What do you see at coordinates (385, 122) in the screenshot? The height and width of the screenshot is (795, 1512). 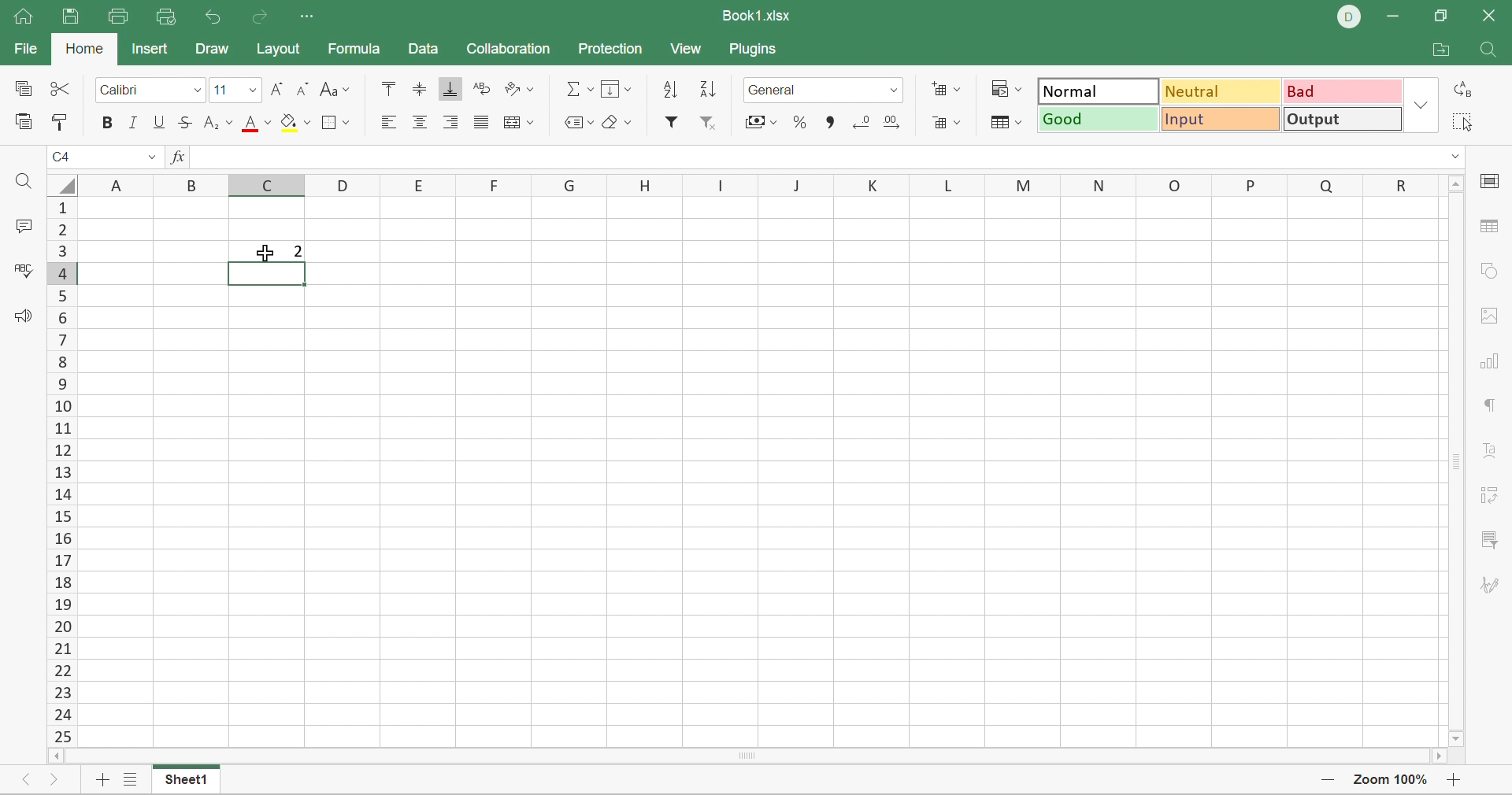 I see `Align Left` at bounding box center [385, 122].